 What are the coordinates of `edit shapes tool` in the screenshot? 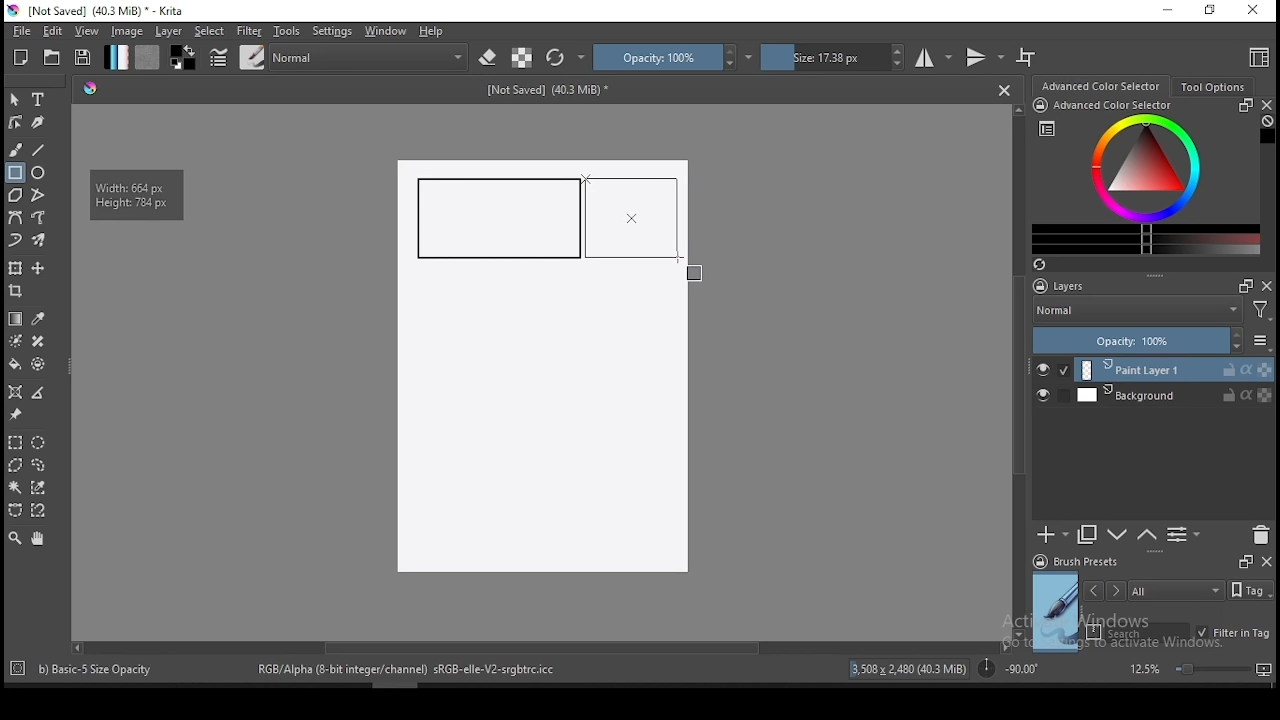 It's located at (15, 121).